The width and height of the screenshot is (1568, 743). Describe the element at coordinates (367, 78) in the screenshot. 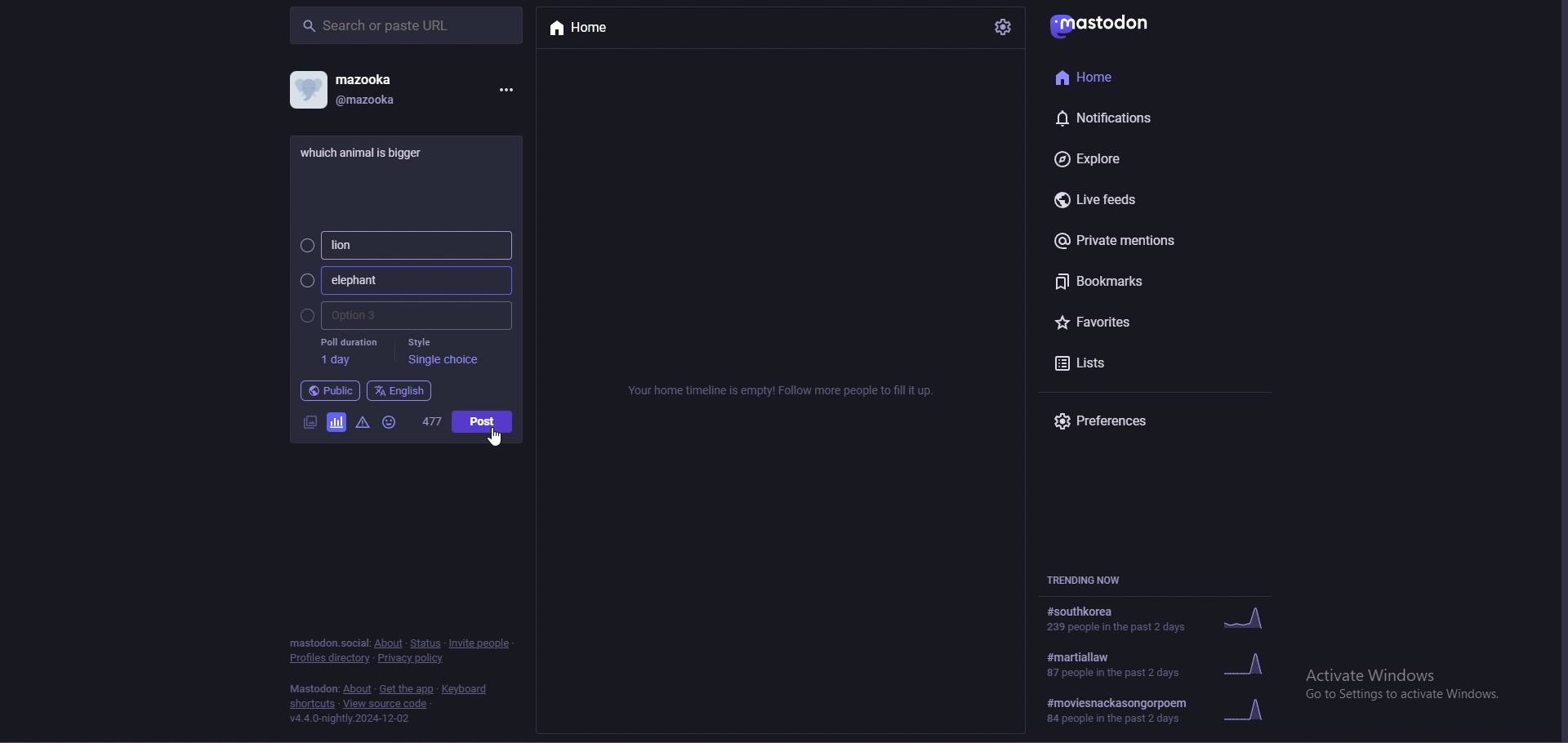

I see `mazooka` at that location.